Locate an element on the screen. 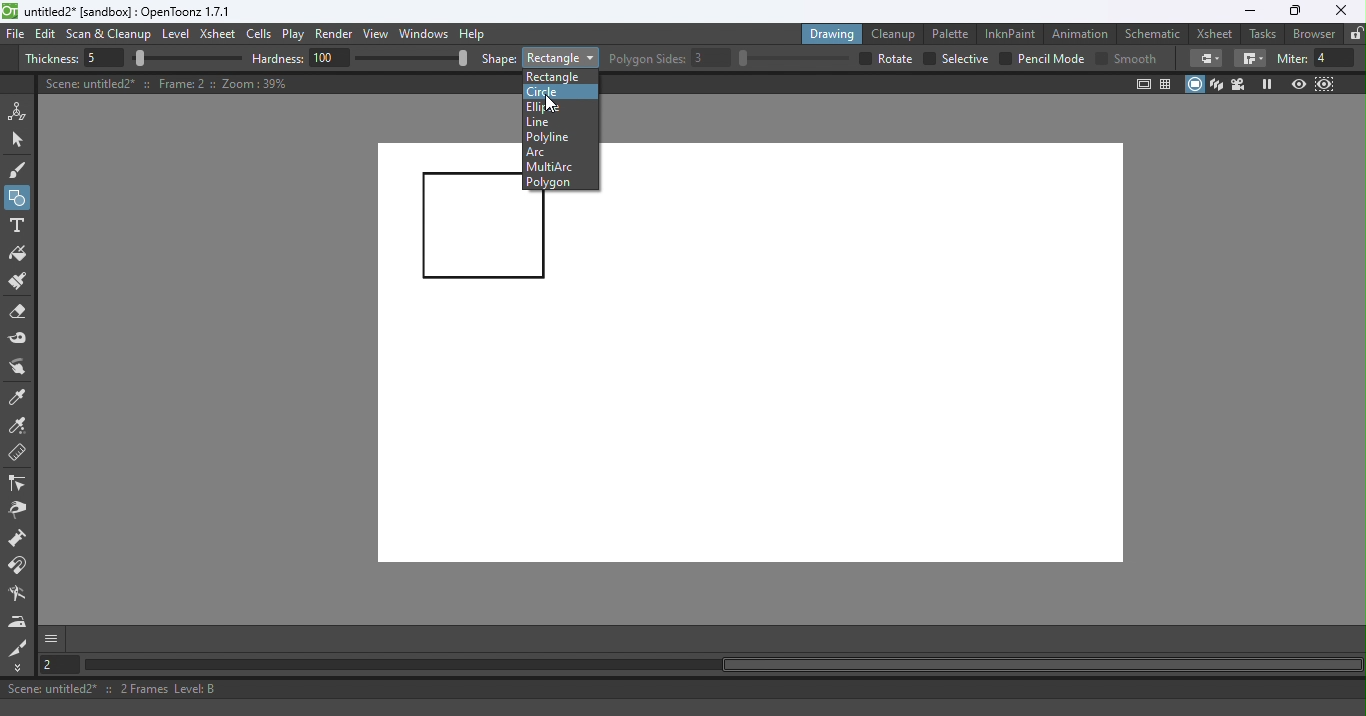 The height and width of the screenshot is (716, 1366). Fill tool is located at coordinates (18, 256).